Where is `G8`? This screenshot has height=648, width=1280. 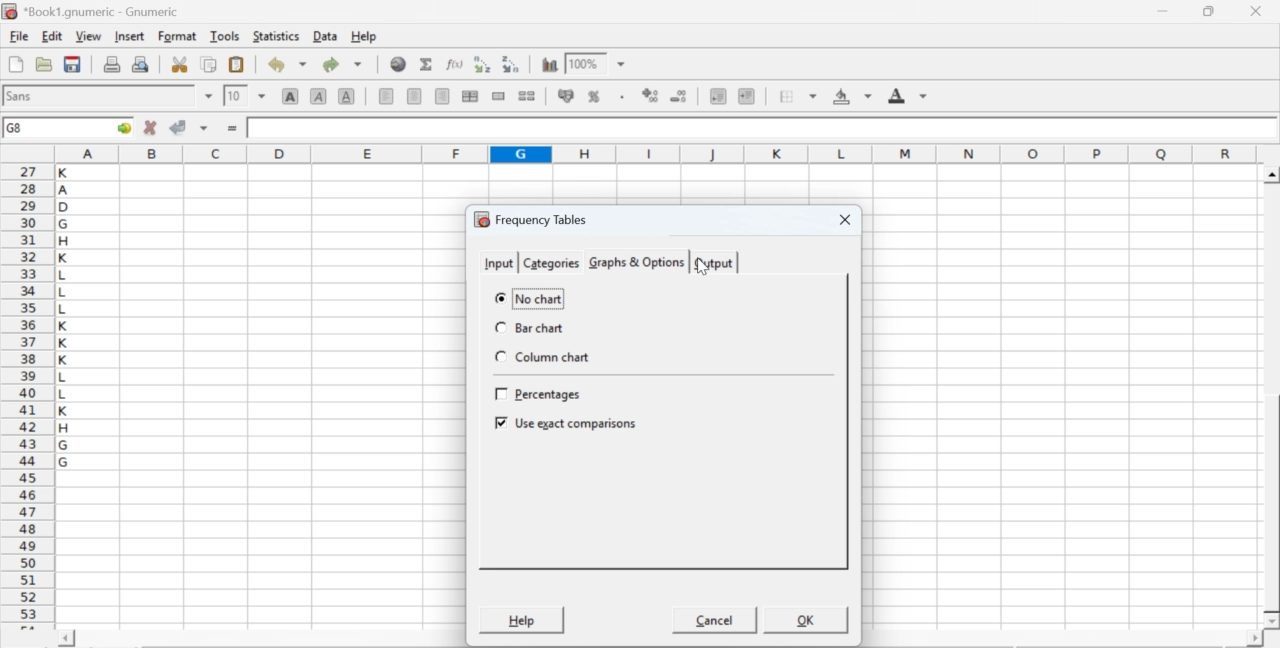 G8 is located at coordinates (17, 128).